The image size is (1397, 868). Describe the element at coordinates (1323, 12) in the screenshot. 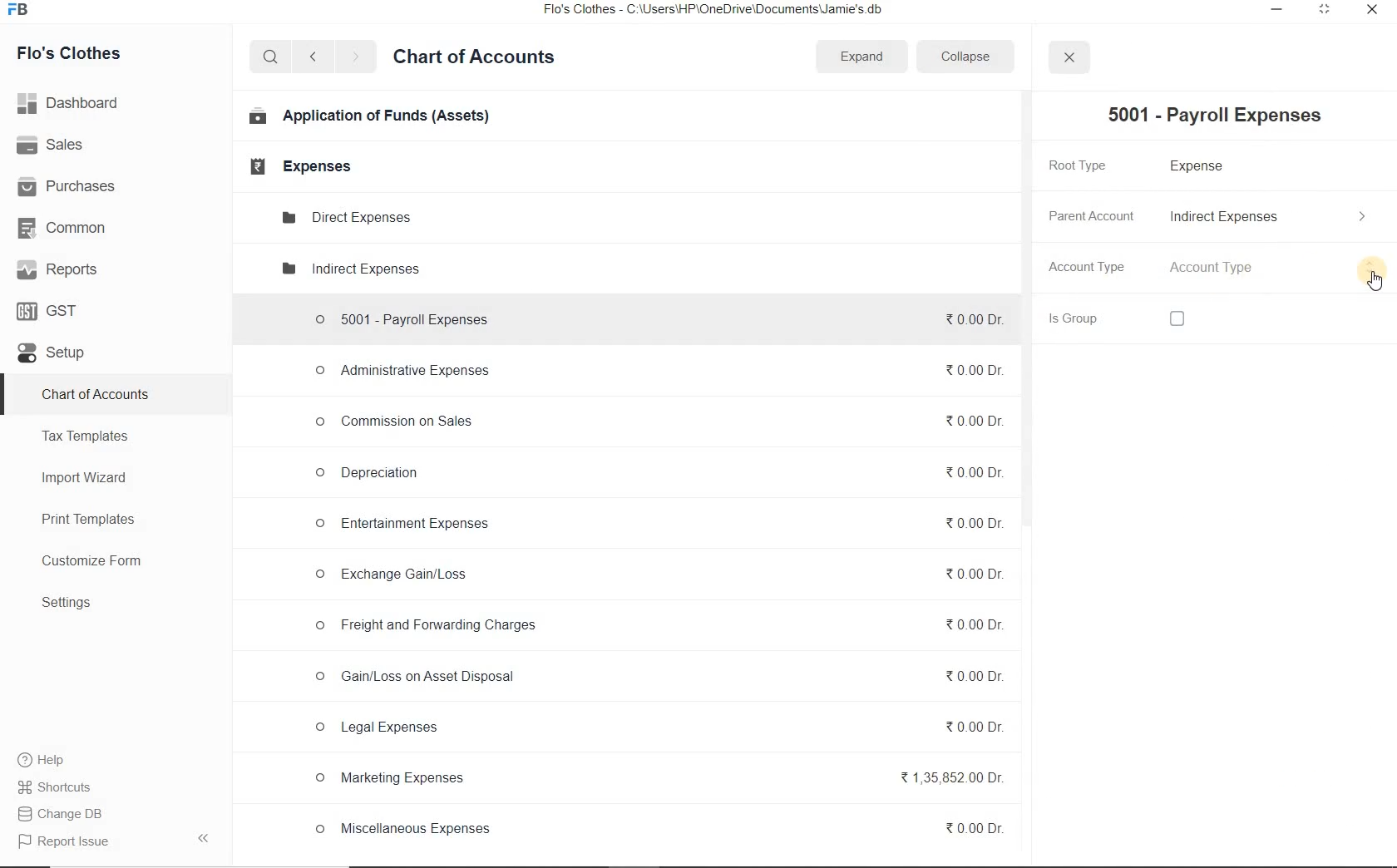

I see `restore down` at that location.